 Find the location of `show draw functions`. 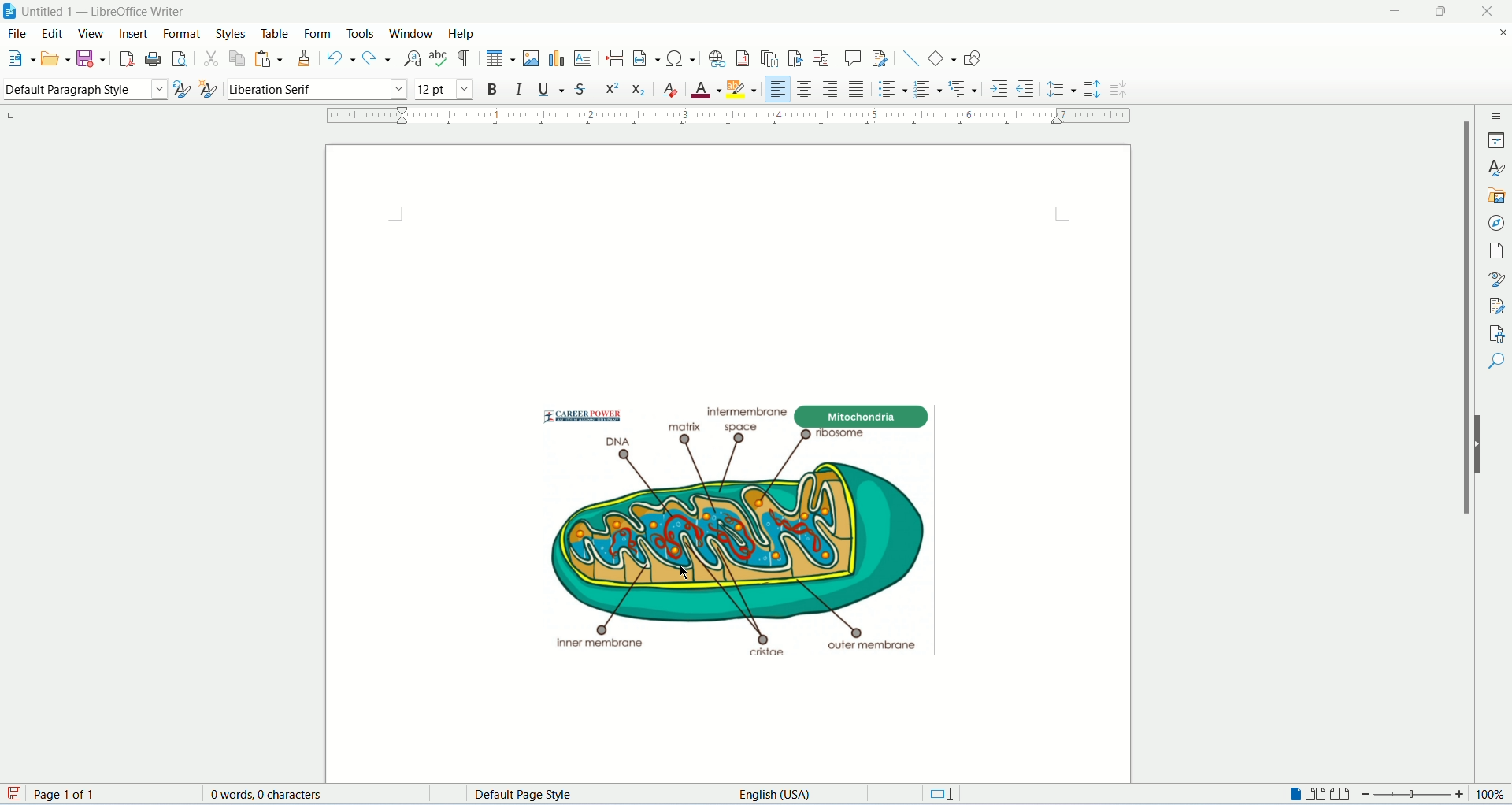

show draw functions is located at coordinates (974, 57).